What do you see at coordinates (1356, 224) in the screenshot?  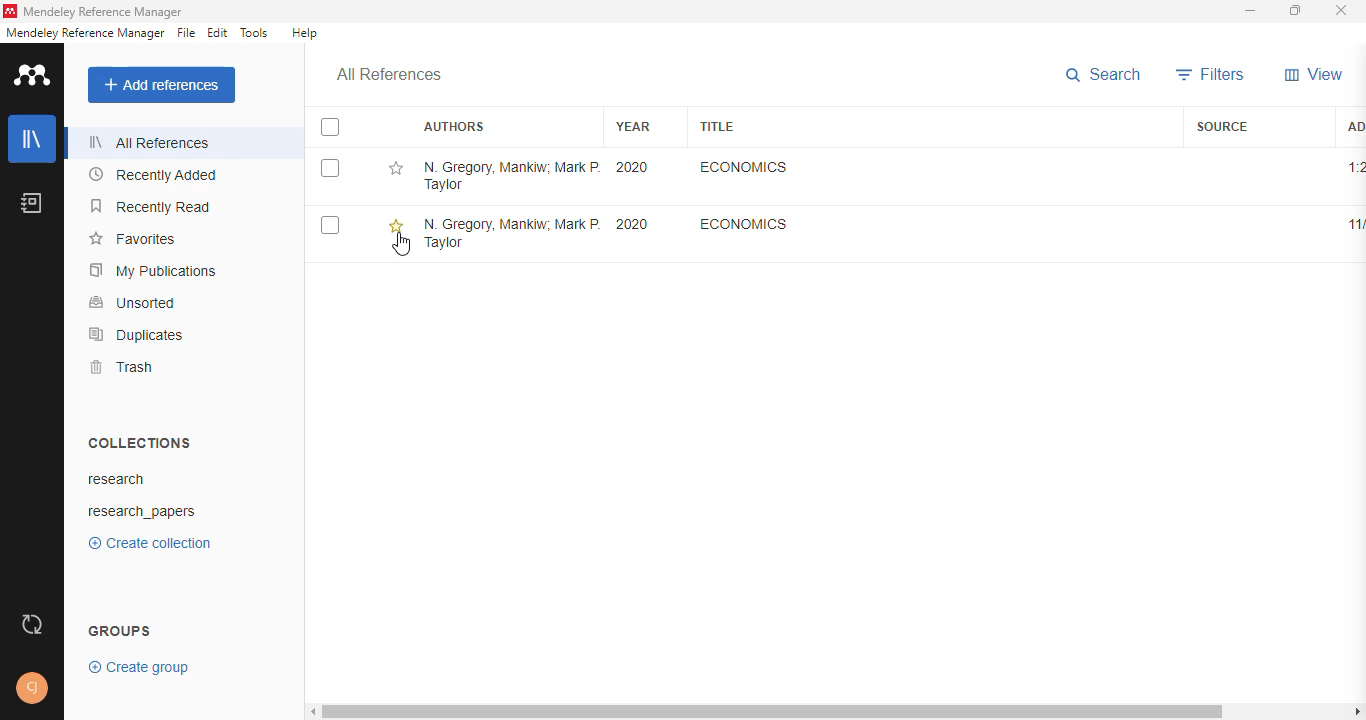 I see `11/` at bounding box center [1356, 224].